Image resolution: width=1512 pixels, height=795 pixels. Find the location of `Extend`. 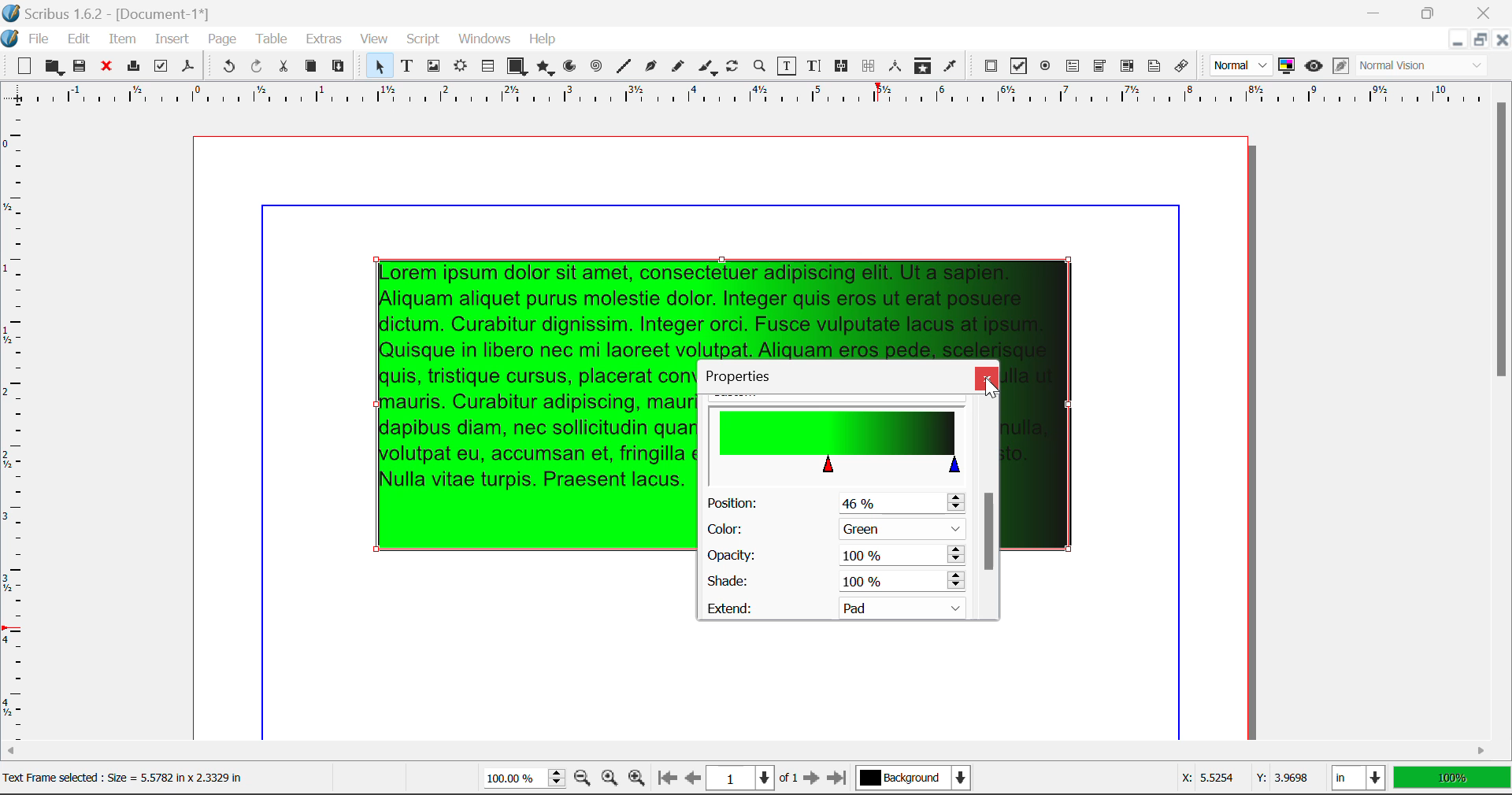

Extend is located at coordinates (841, 606).